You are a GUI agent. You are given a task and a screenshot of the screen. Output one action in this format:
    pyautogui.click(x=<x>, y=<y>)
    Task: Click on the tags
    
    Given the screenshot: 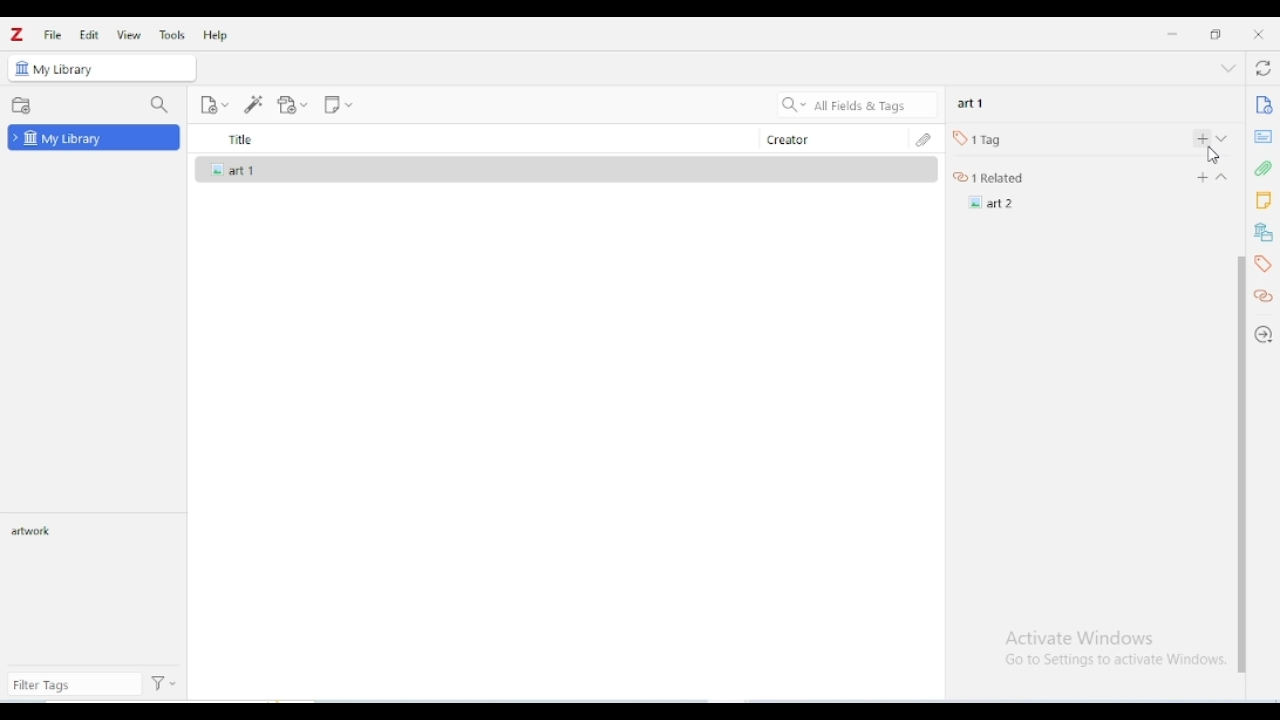 What is the action you would take?
    pyautogui.click(x=1264, y=263)
    